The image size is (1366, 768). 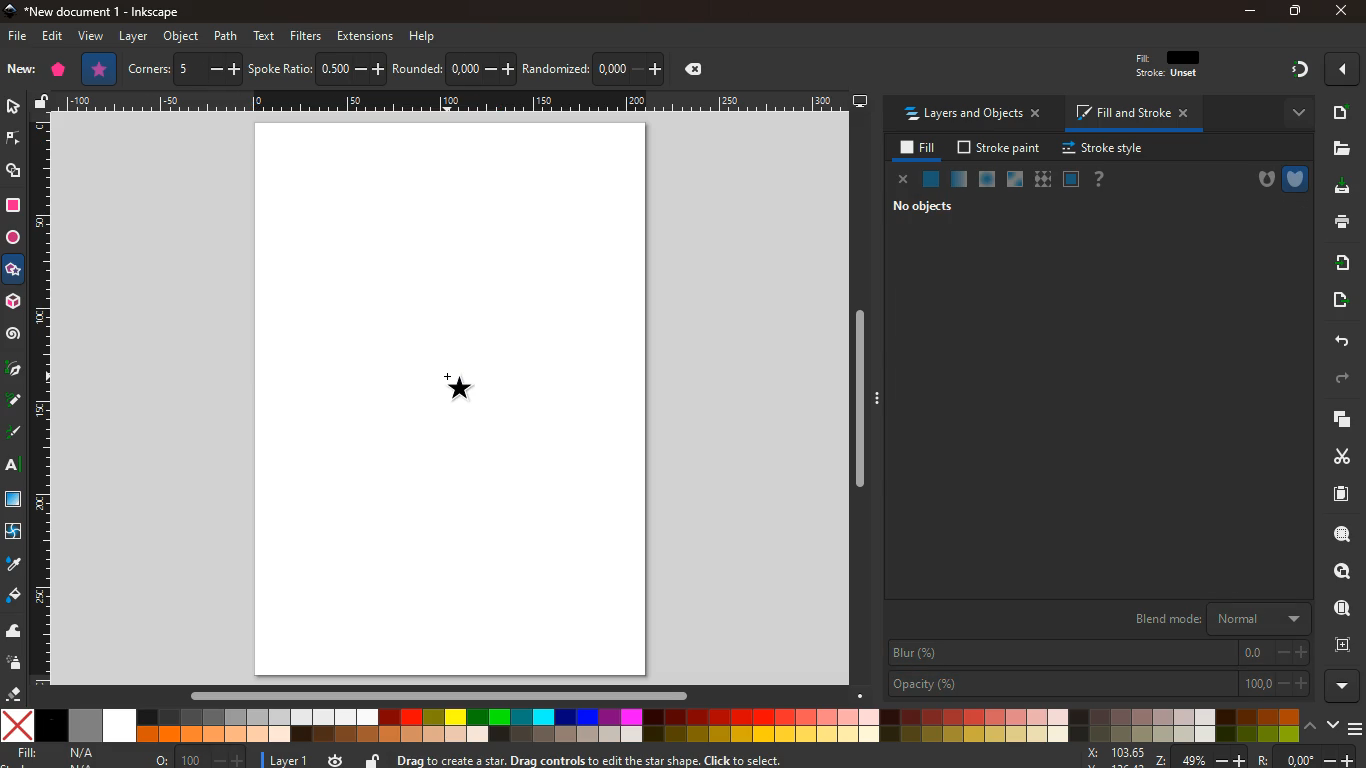 What do you see at coordinates (306, 35) in the screenshot?
I see `filters` at bounding box center [306, 35].